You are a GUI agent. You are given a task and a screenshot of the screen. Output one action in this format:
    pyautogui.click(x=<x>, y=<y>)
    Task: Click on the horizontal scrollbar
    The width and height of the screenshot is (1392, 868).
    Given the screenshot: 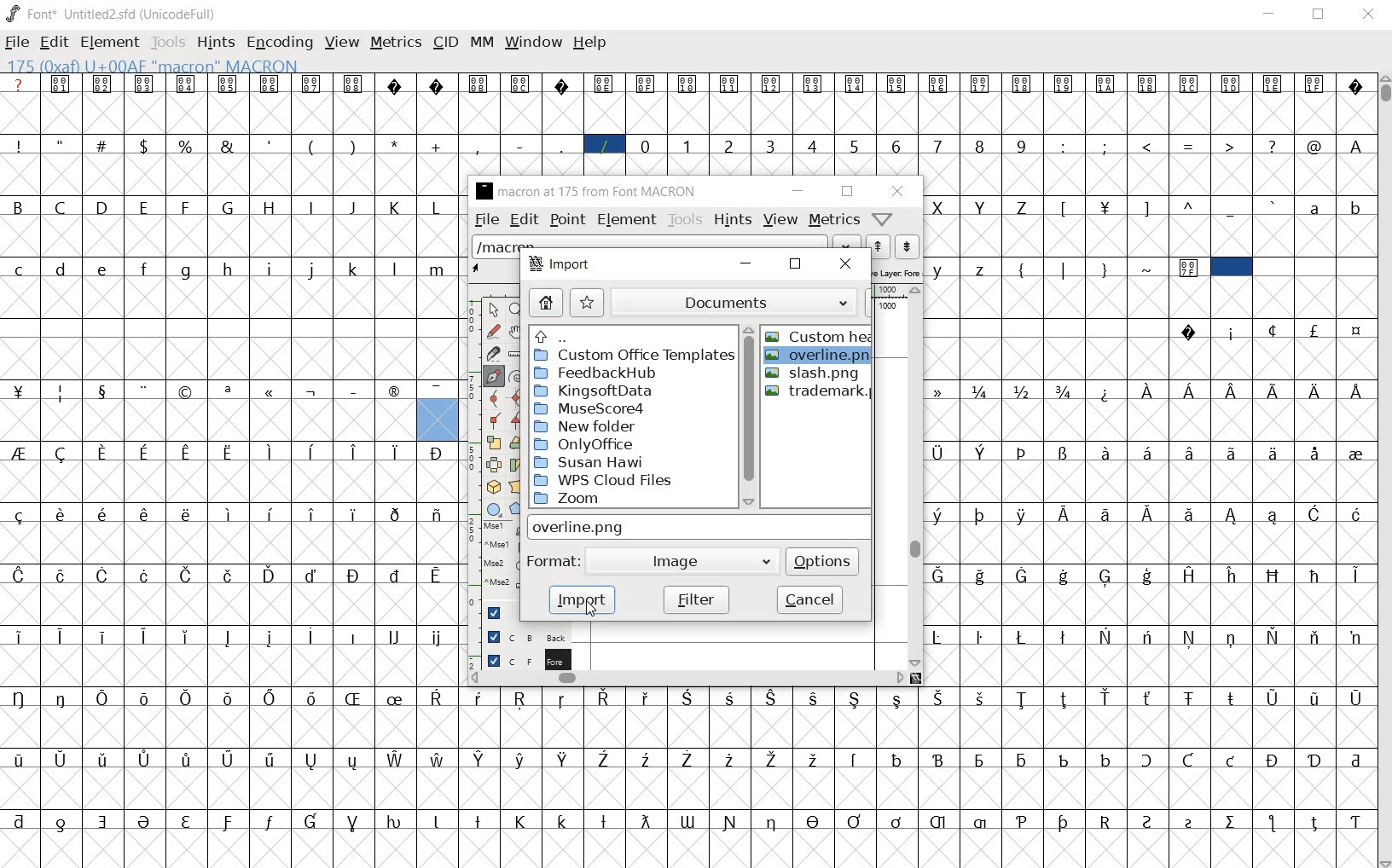 What is the action you would take?
    pyautogui.click(x=689, y=677)
    